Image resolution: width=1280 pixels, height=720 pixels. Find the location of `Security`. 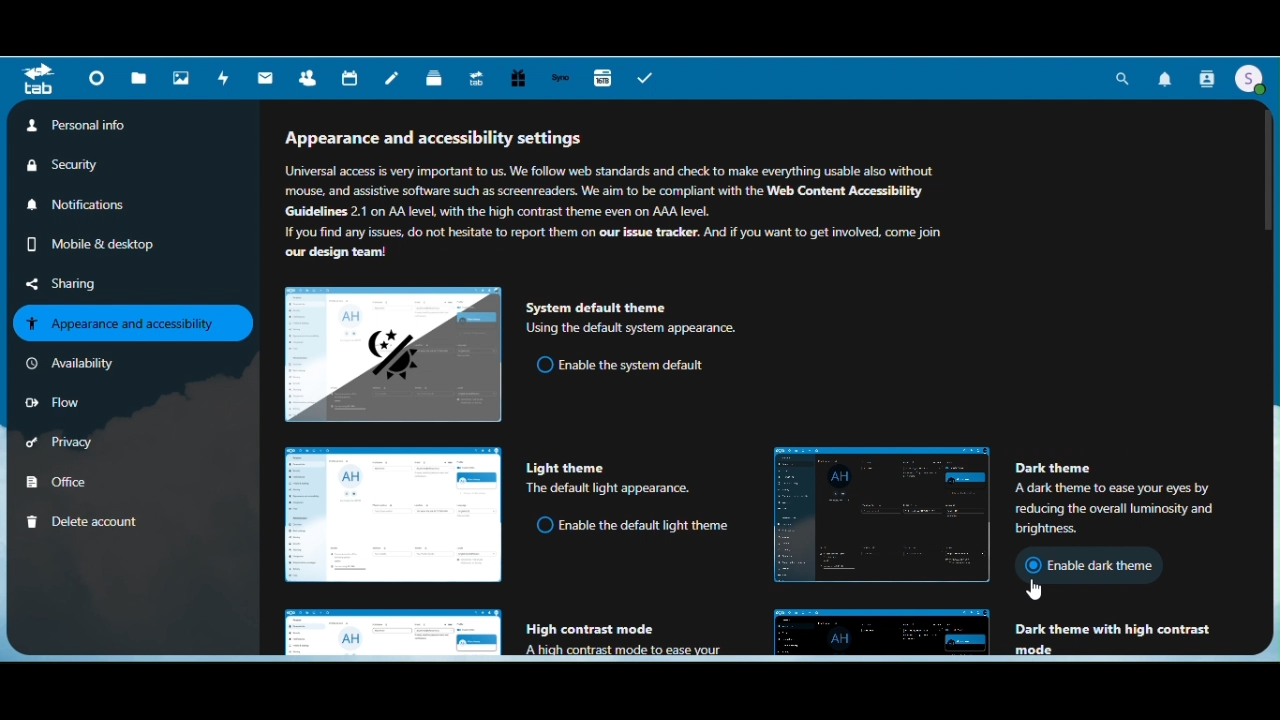

Security is located at coordinates (79, 165).